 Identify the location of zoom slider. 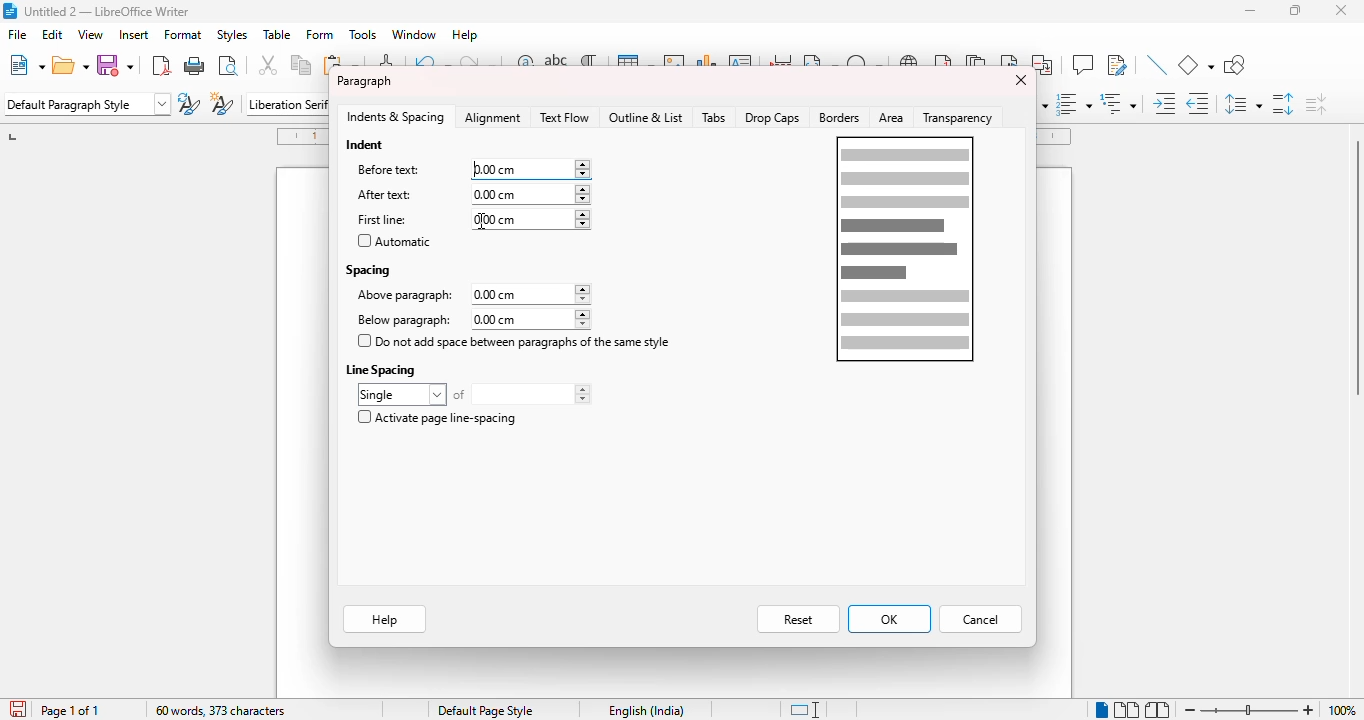
(1250, 710).